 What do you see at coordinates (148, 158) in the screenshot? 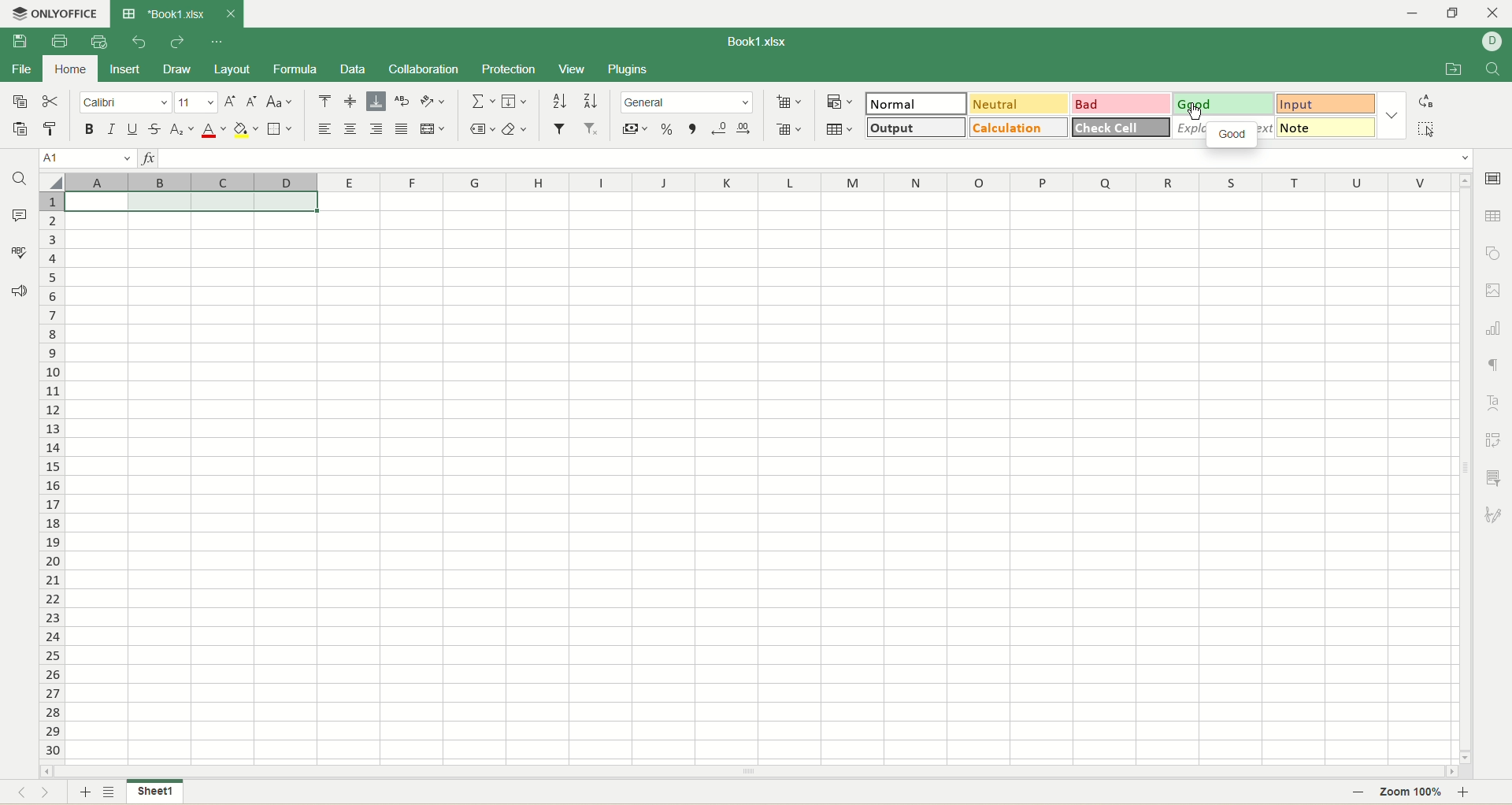
I see `insert function` at bounding box center [148, 158].